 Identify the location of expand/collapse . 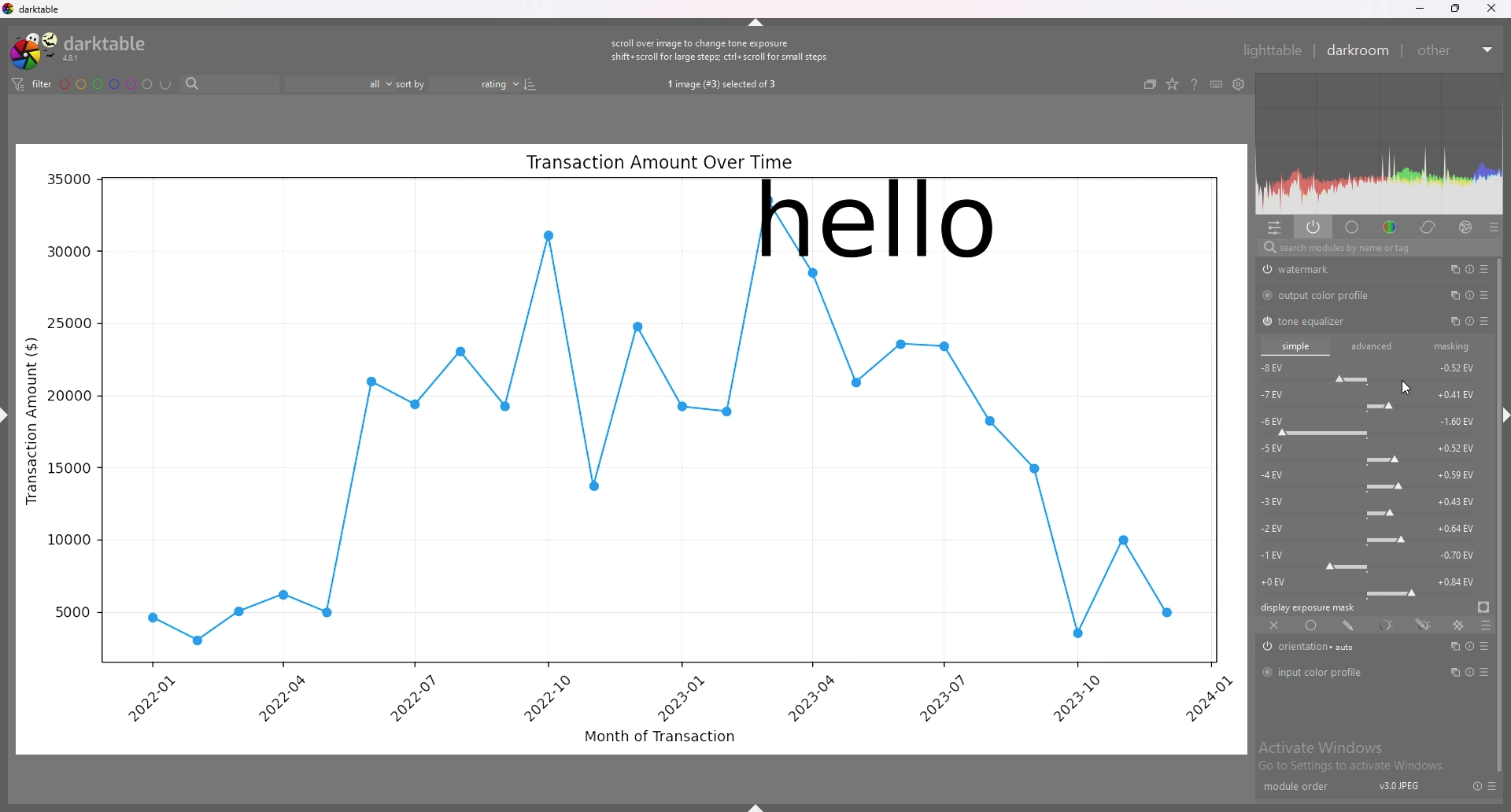
(1487, 50).